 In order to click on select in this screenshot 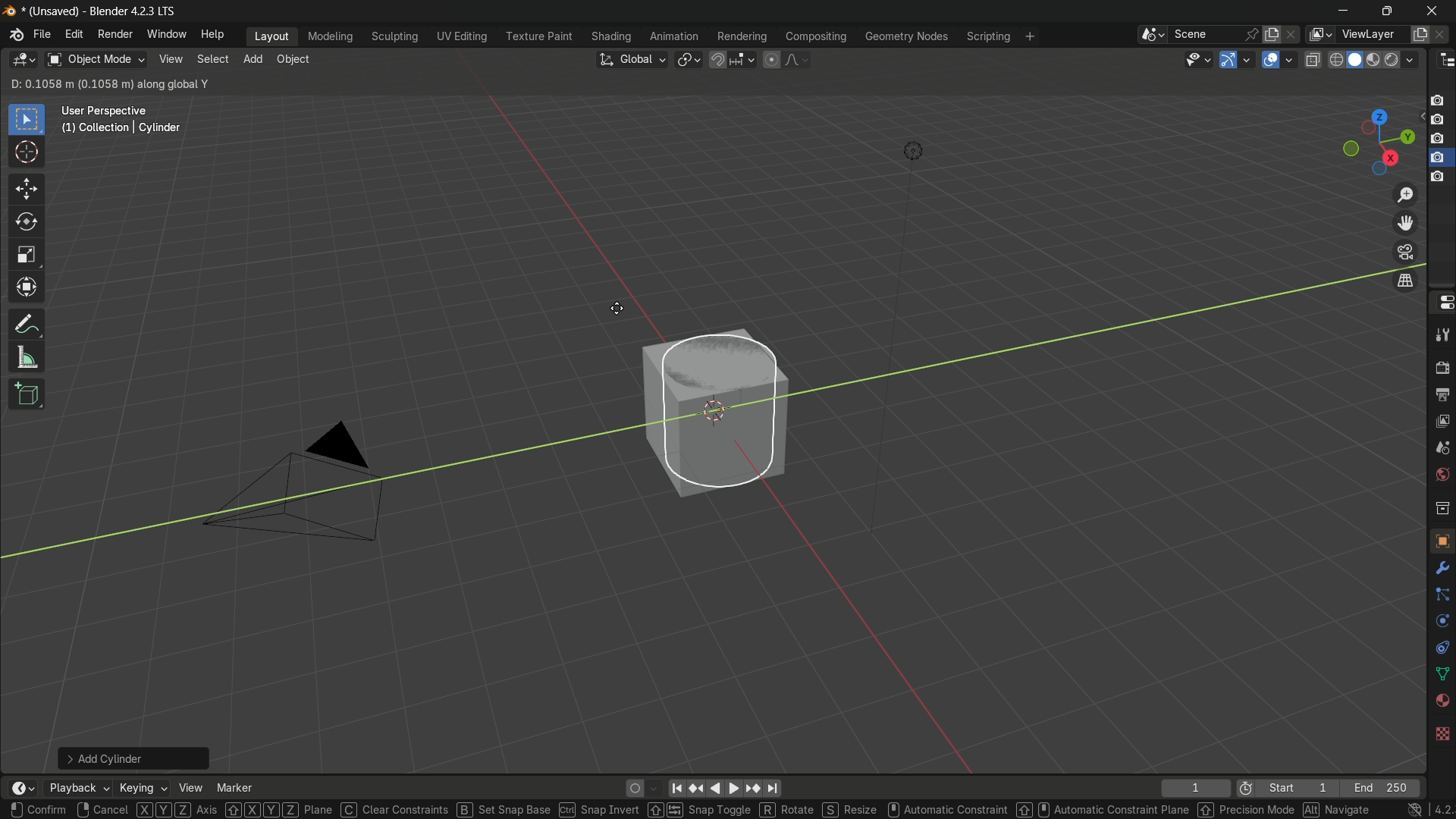, I will do `click(212, 59)`.